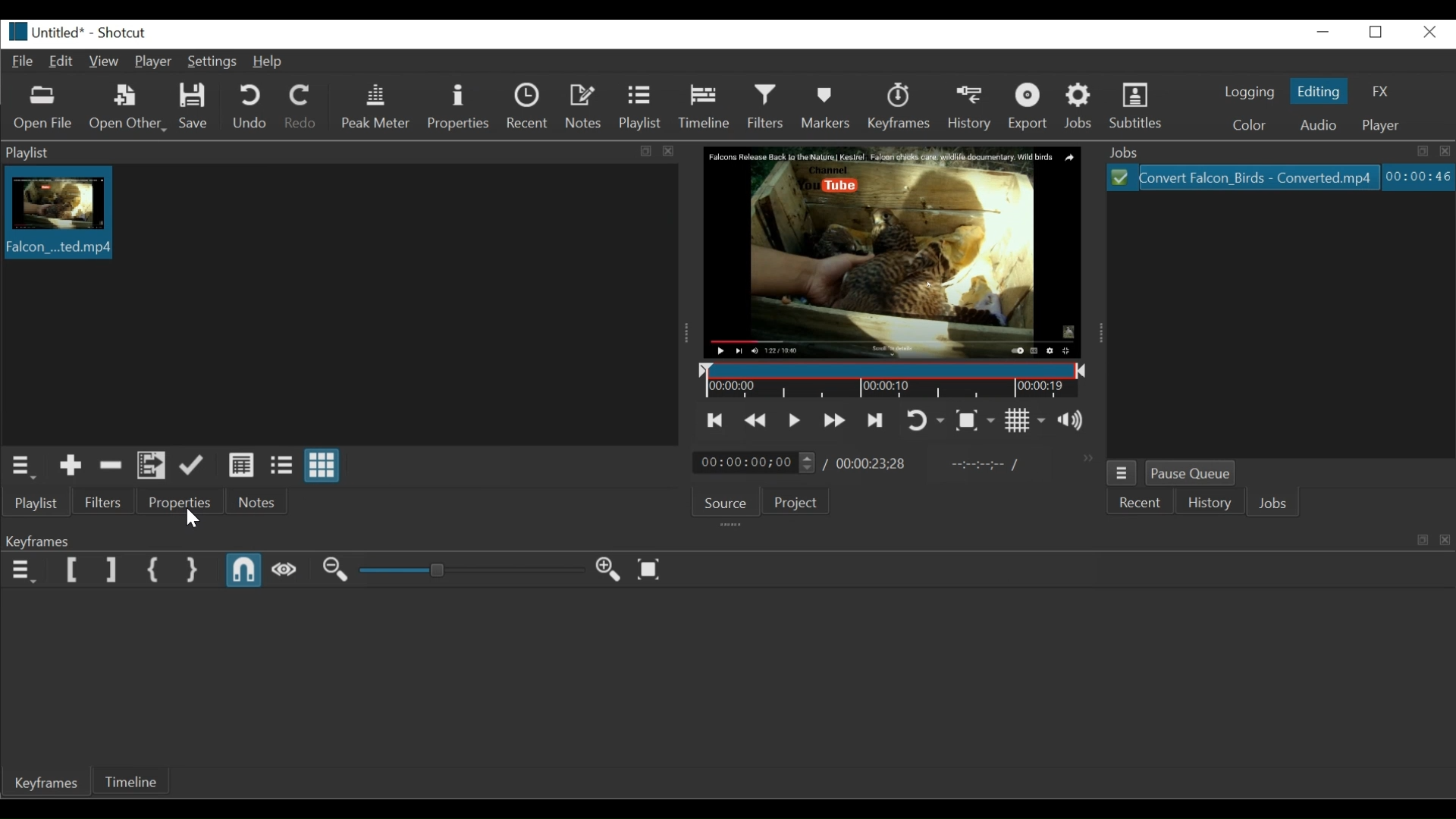  Describe the element at coordinates (189, 519) in the screenshot. I see `Cursor` at that location.